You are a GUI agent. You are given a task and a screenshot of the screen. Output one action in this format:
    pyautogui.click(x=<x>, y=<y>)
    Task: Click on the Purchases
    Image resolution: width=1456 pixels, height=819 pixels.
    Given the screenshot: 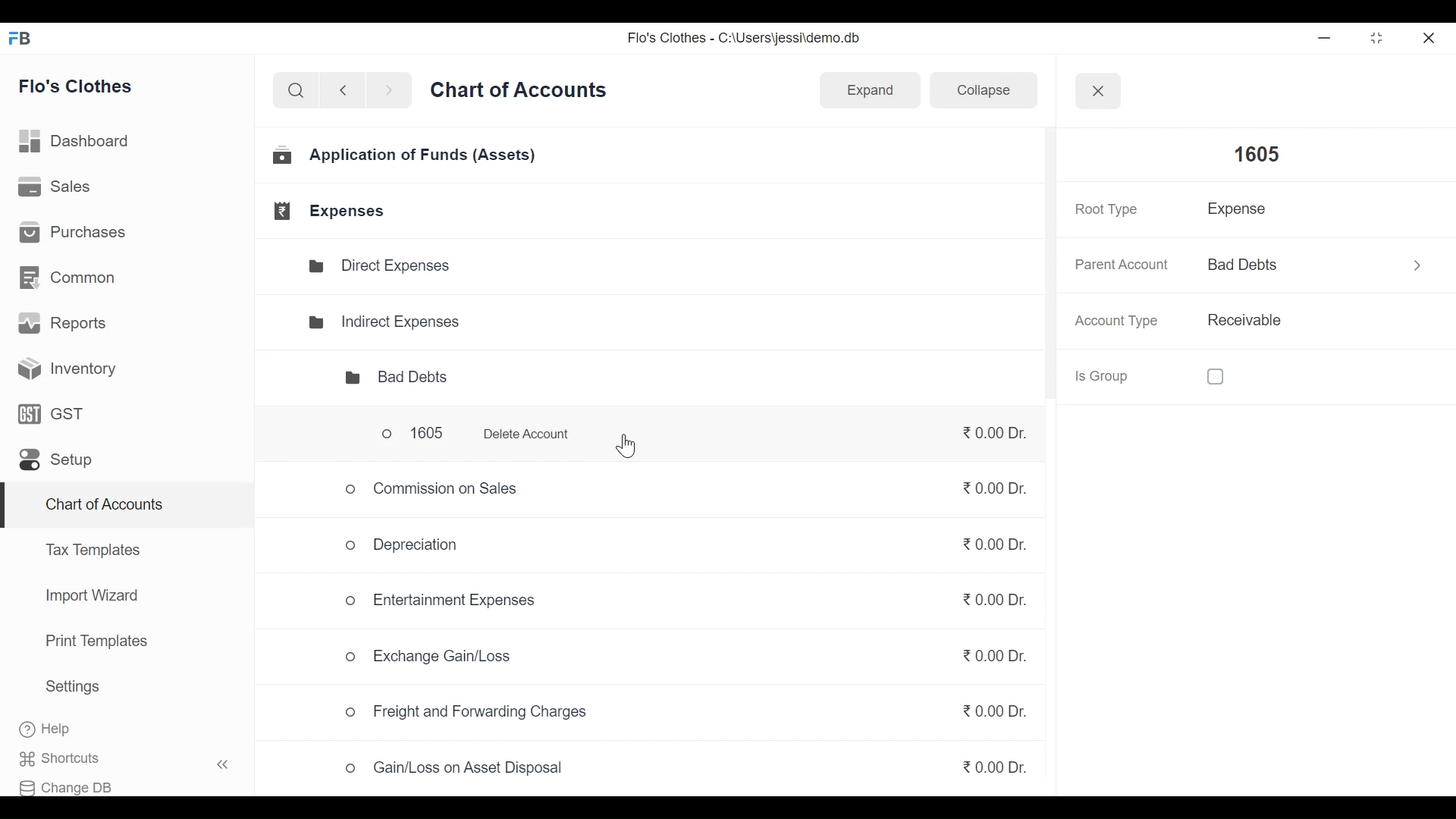 What is the action you would take?
    pyautogui.click(x=77, y=234)
    